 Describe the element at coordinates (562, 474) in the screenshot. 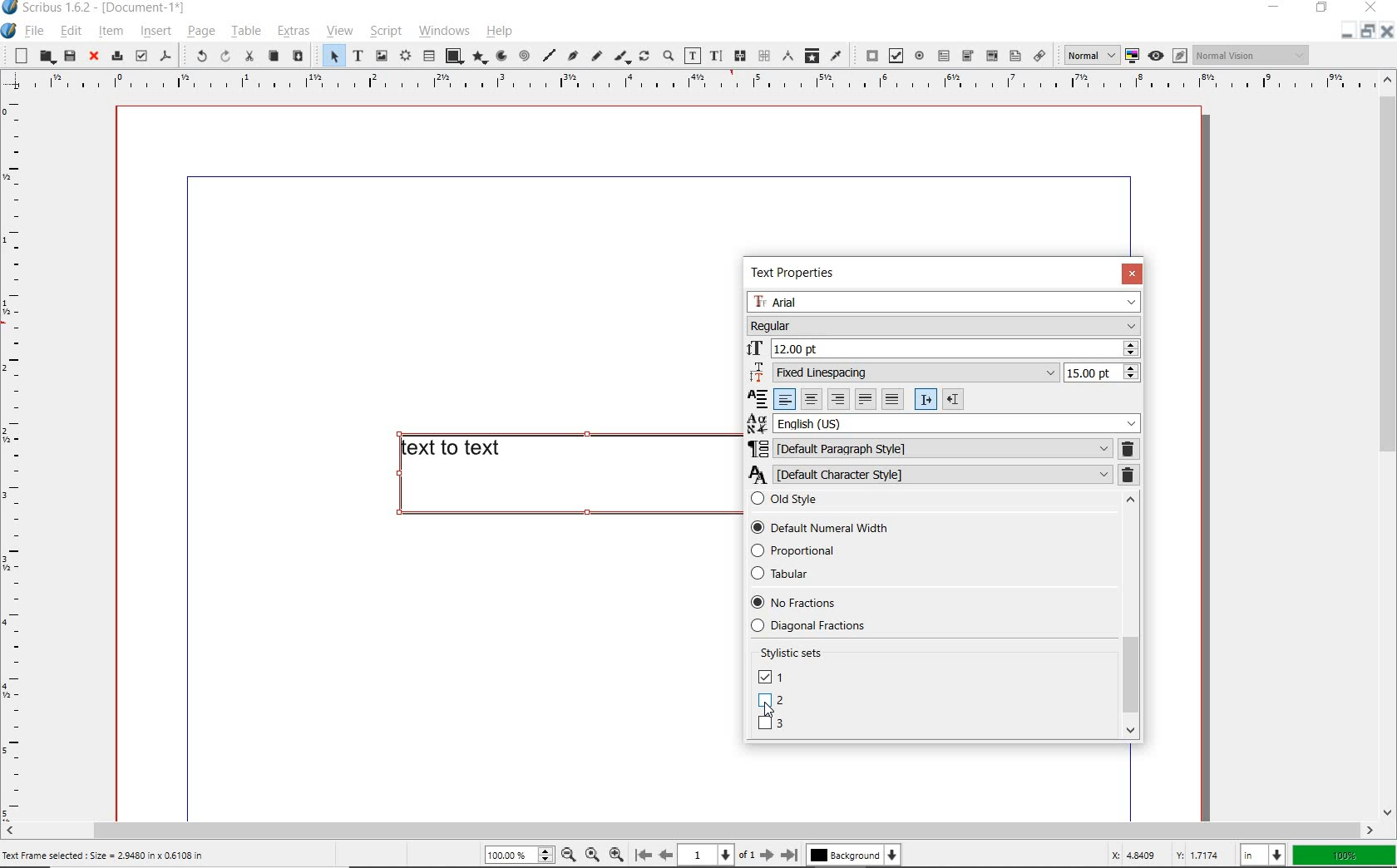

I see `text to text` at that location.